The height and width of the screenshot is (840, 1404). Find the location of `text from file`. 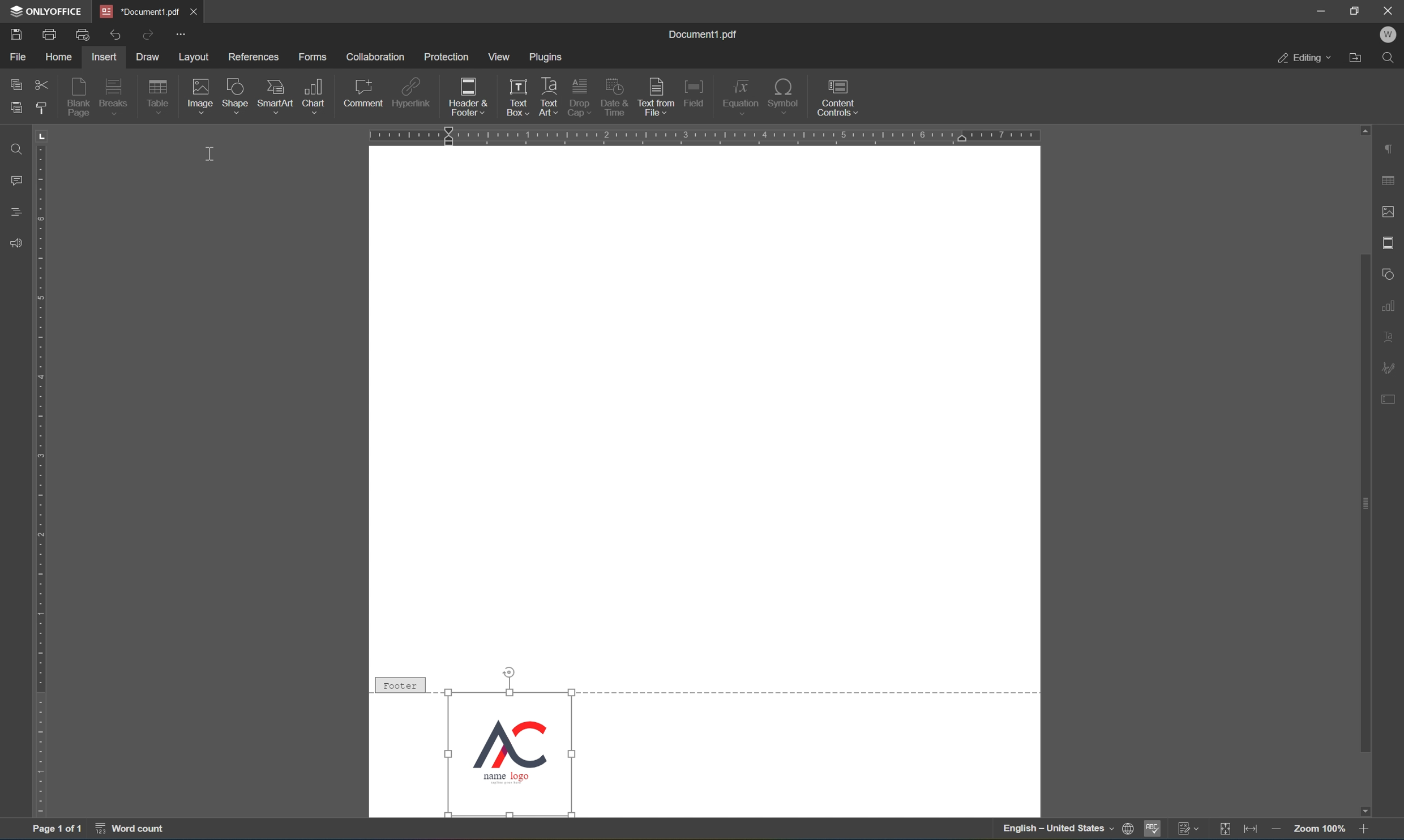

text from file is located at coordinates (657, 96).